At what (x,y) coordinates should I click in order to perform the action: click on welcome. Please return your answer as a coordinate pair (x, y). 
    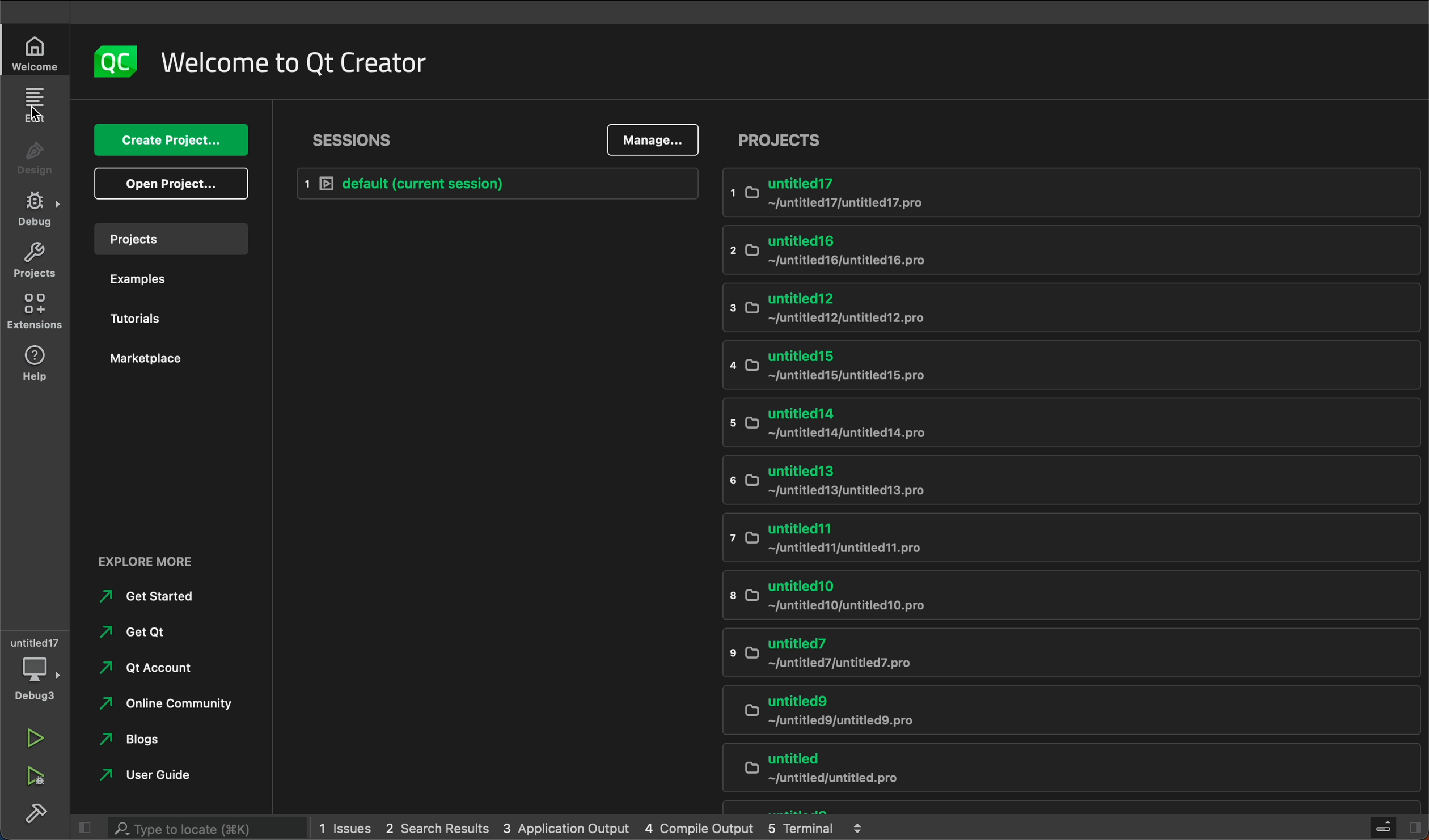
    Looking at the image, I should click on (41, 52).